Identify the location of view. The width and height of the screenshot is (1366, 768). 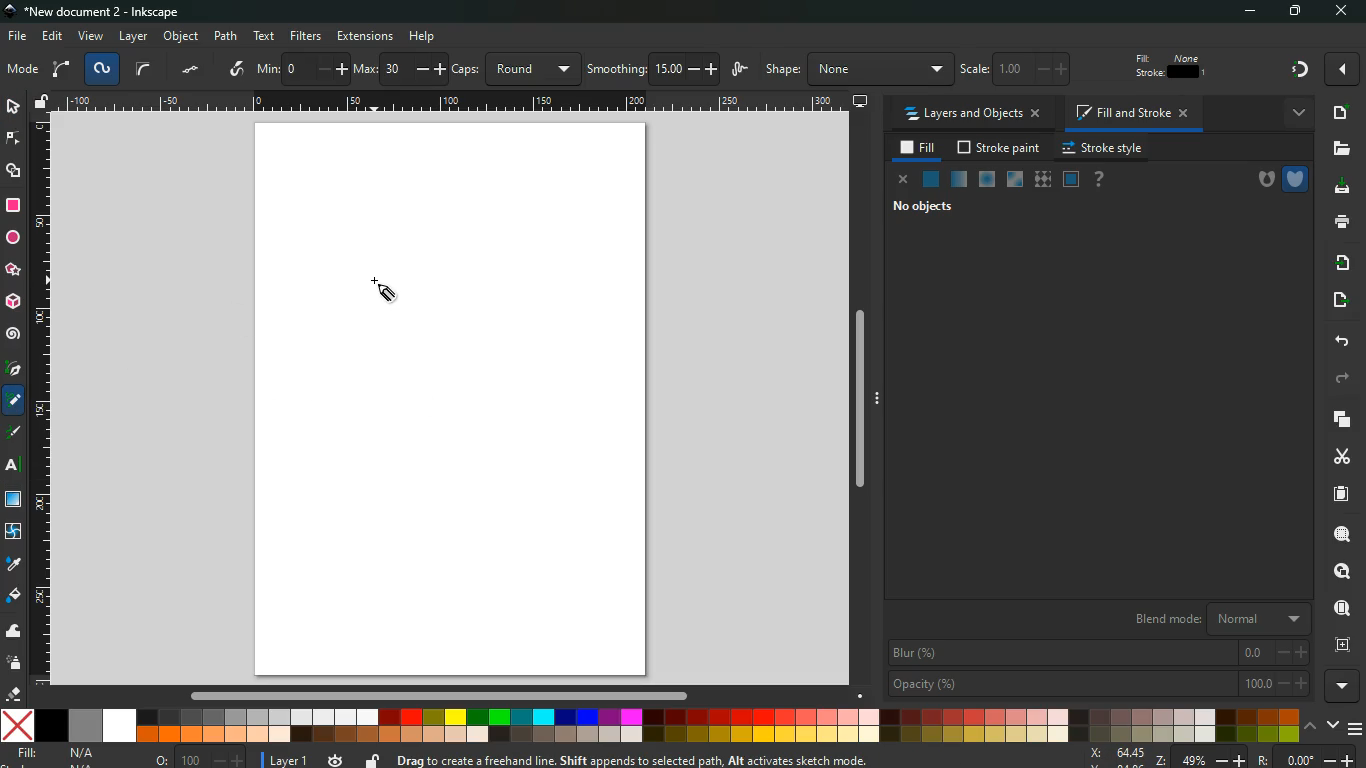
(91, 37).